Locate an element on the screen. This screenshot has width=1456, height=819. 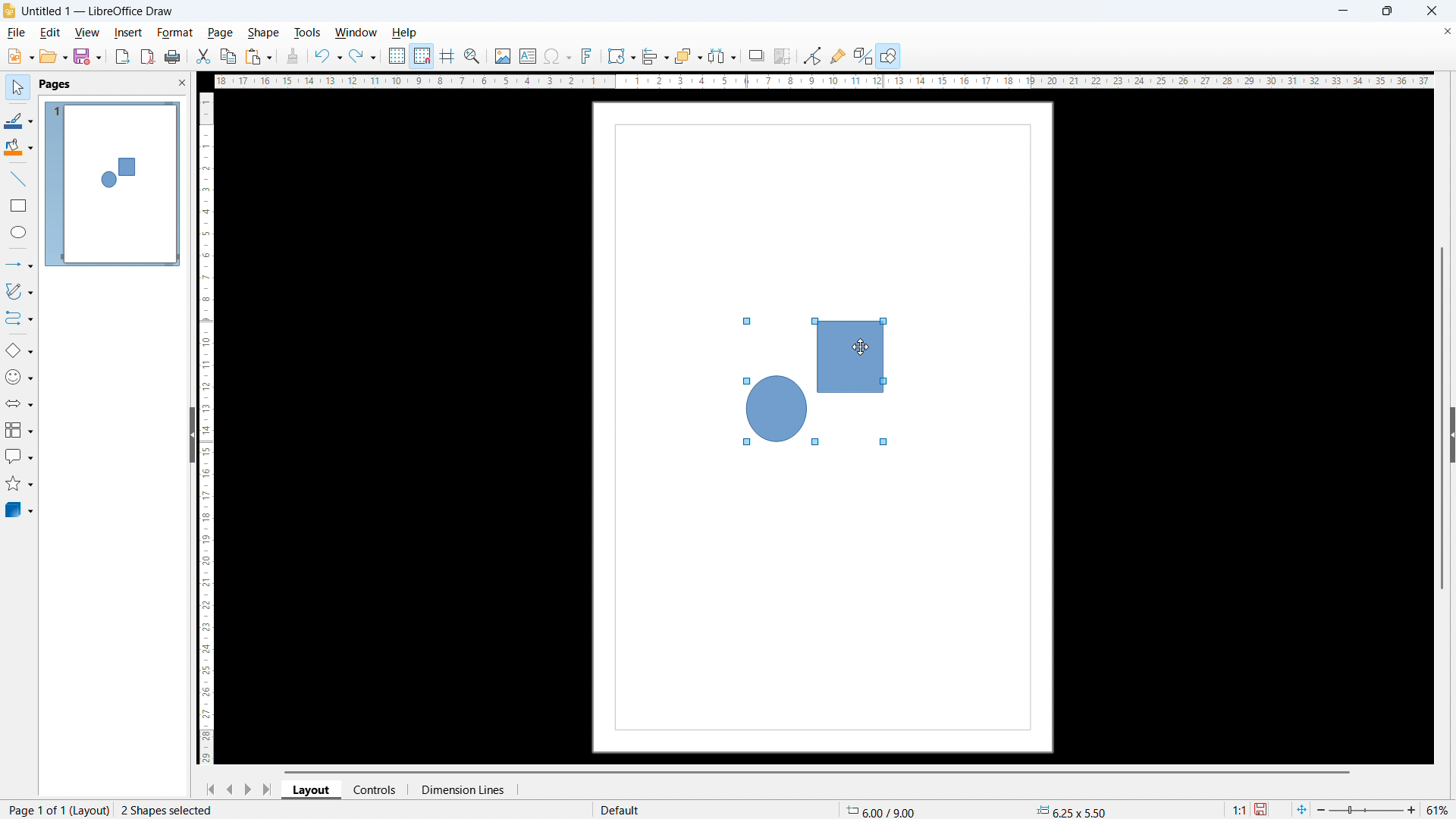
minimize is located at coordinates (1341, 11).